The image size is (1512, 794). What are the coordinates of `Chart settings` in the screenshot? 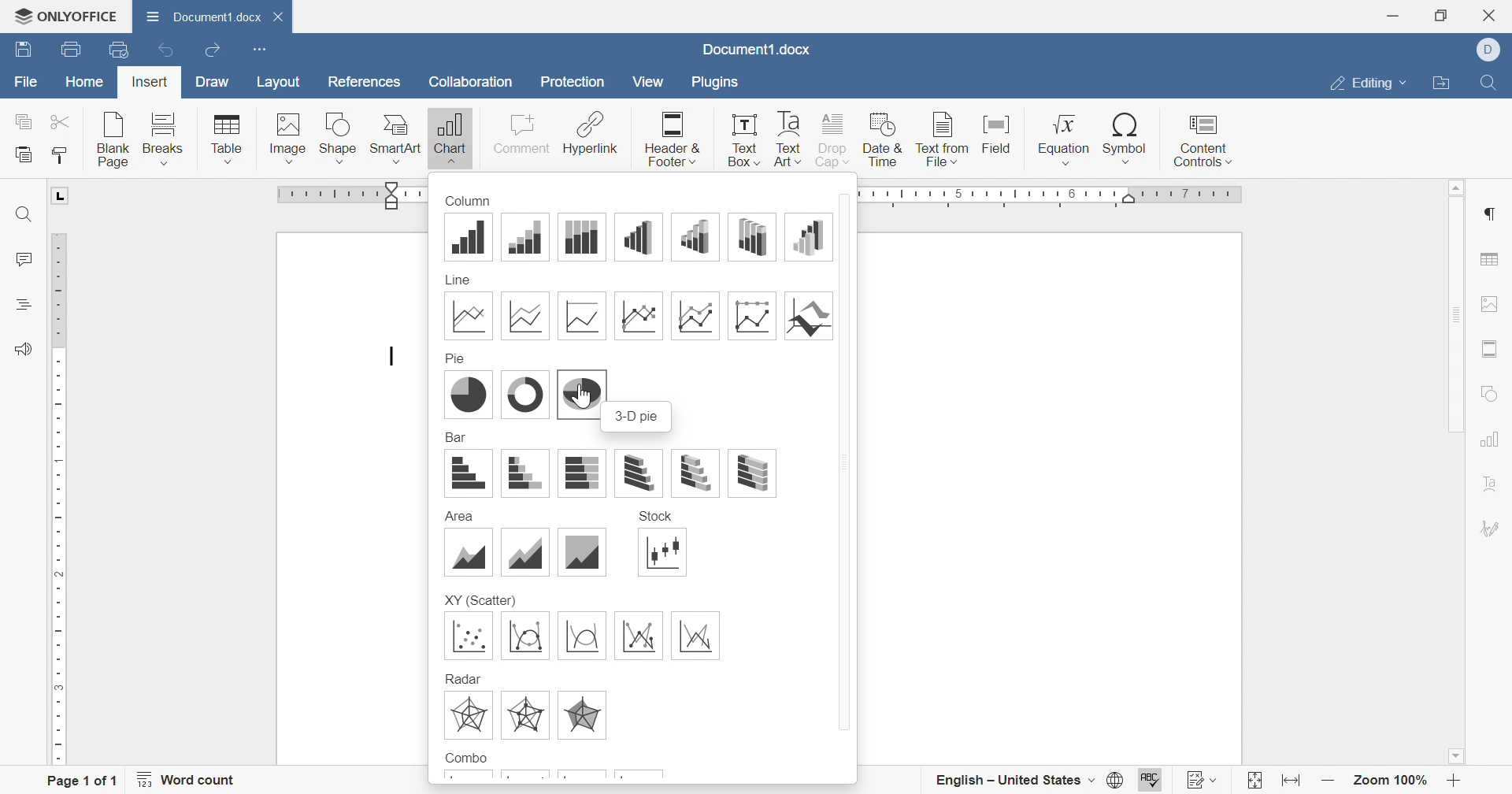 It's located at (1495, 439).